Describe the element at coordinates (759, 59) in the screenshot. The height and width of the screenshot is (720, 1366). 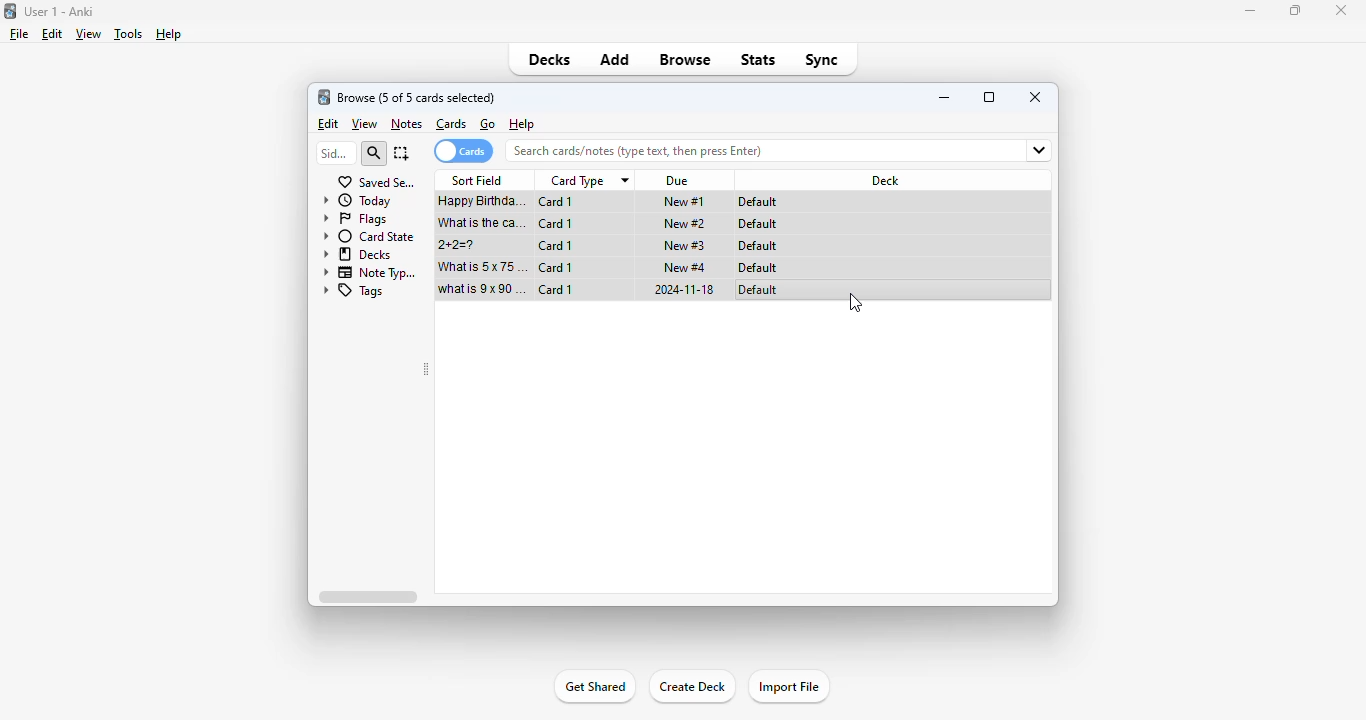
I see `stats` at that location.